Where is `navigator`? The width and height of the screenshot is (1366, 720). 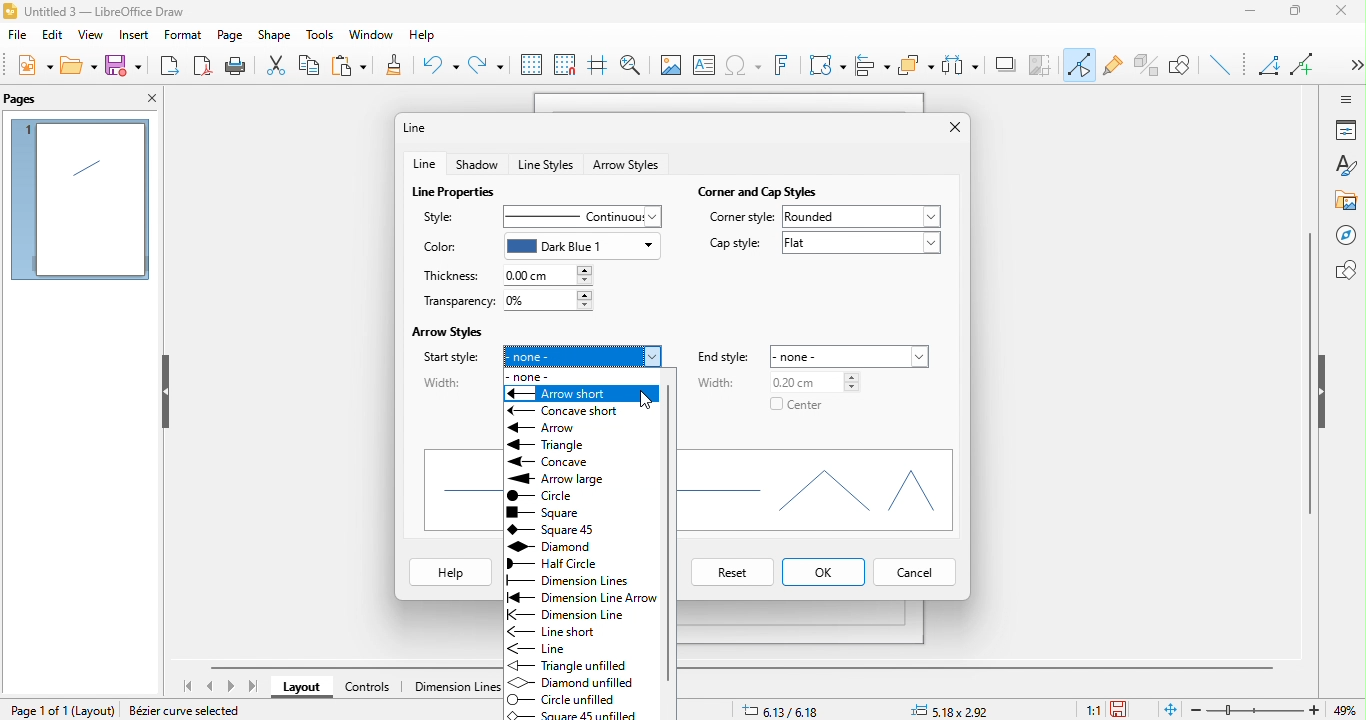
navigator is located at coordinates (1345, 235).